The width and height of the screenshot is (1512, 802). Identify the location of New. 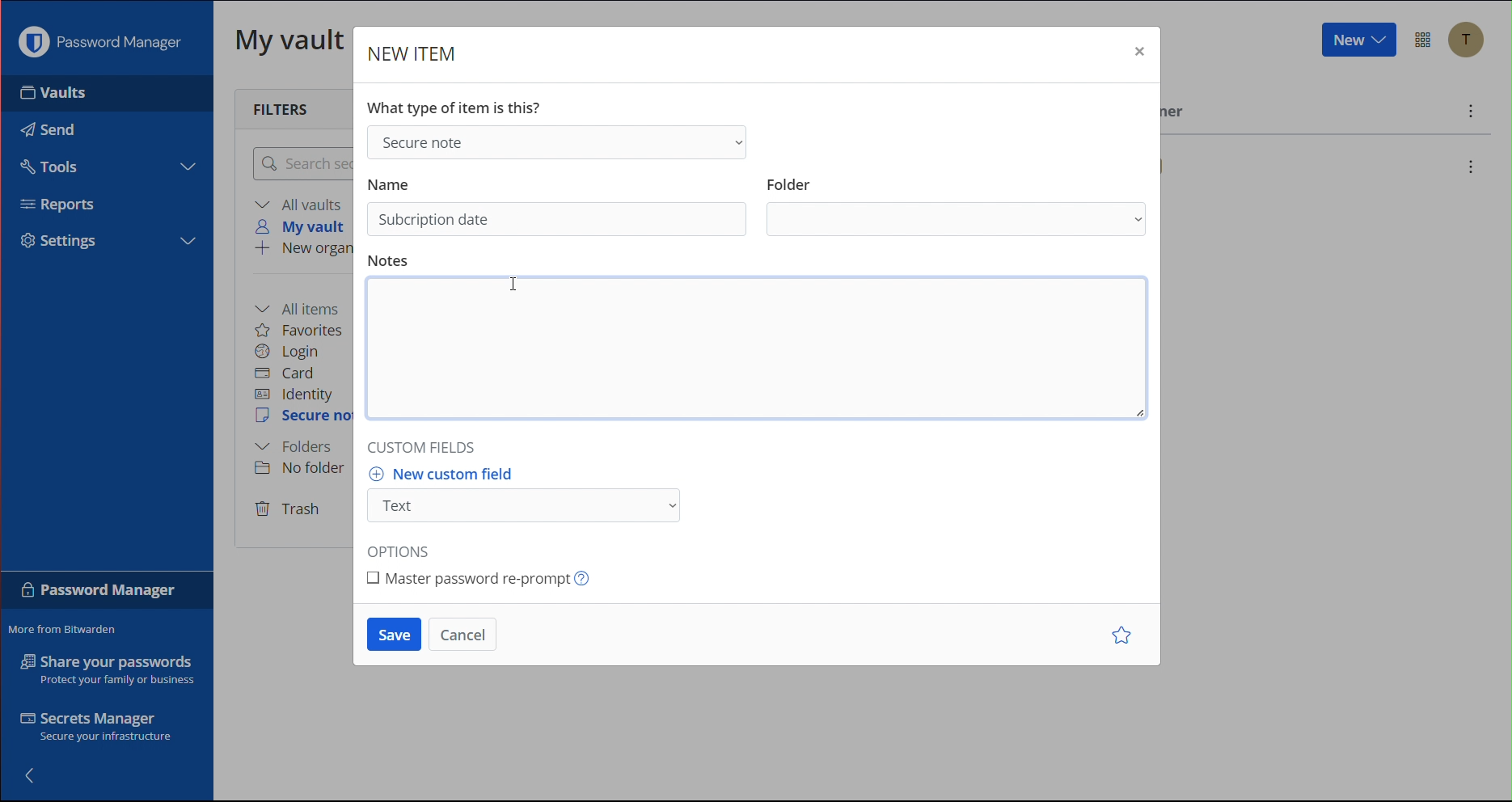
(1357, 40).